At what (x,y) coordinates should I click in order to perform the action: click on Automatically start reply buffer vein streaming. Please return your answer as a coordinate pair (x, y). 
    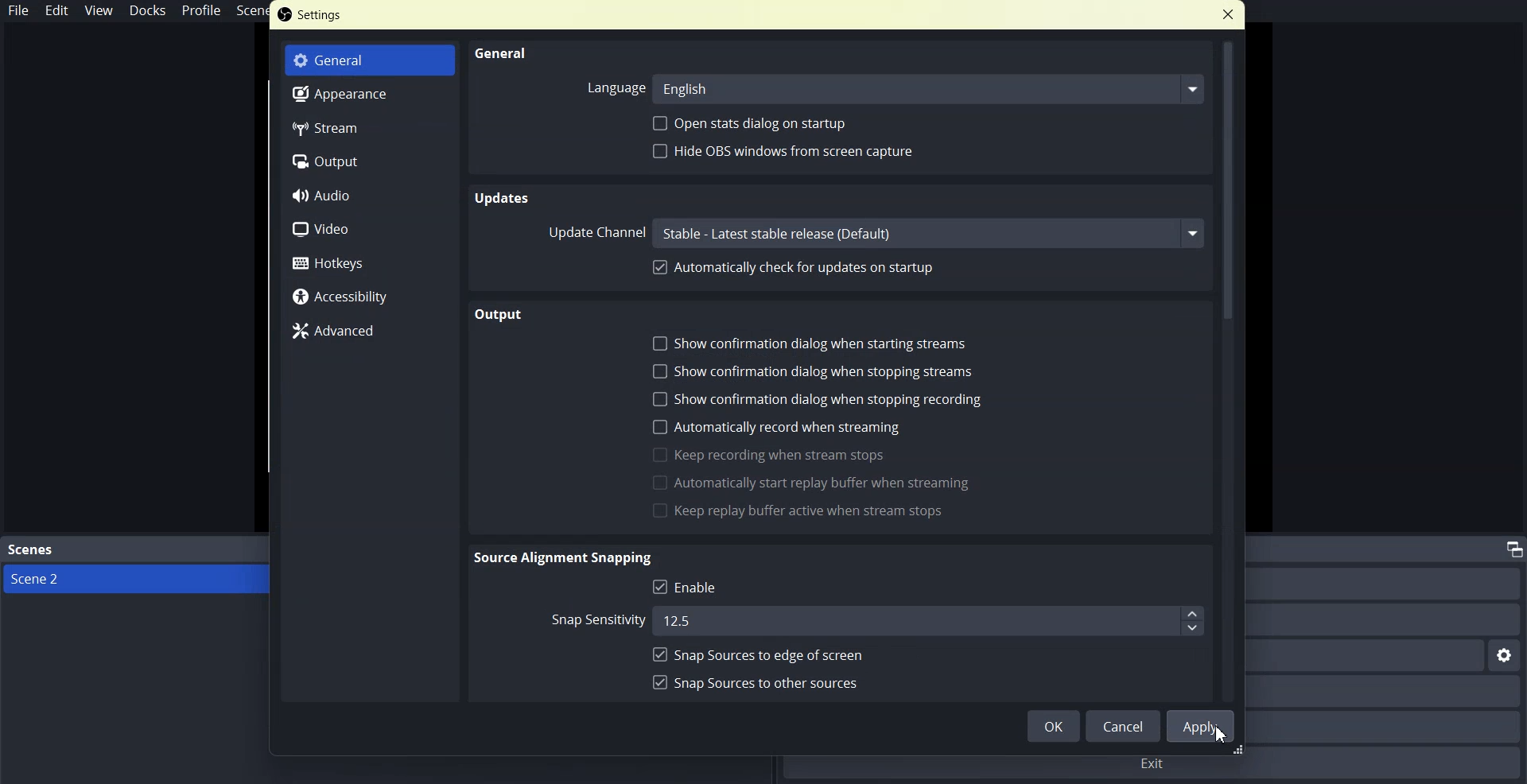
    Looking at the image, I should click on (811, 483).